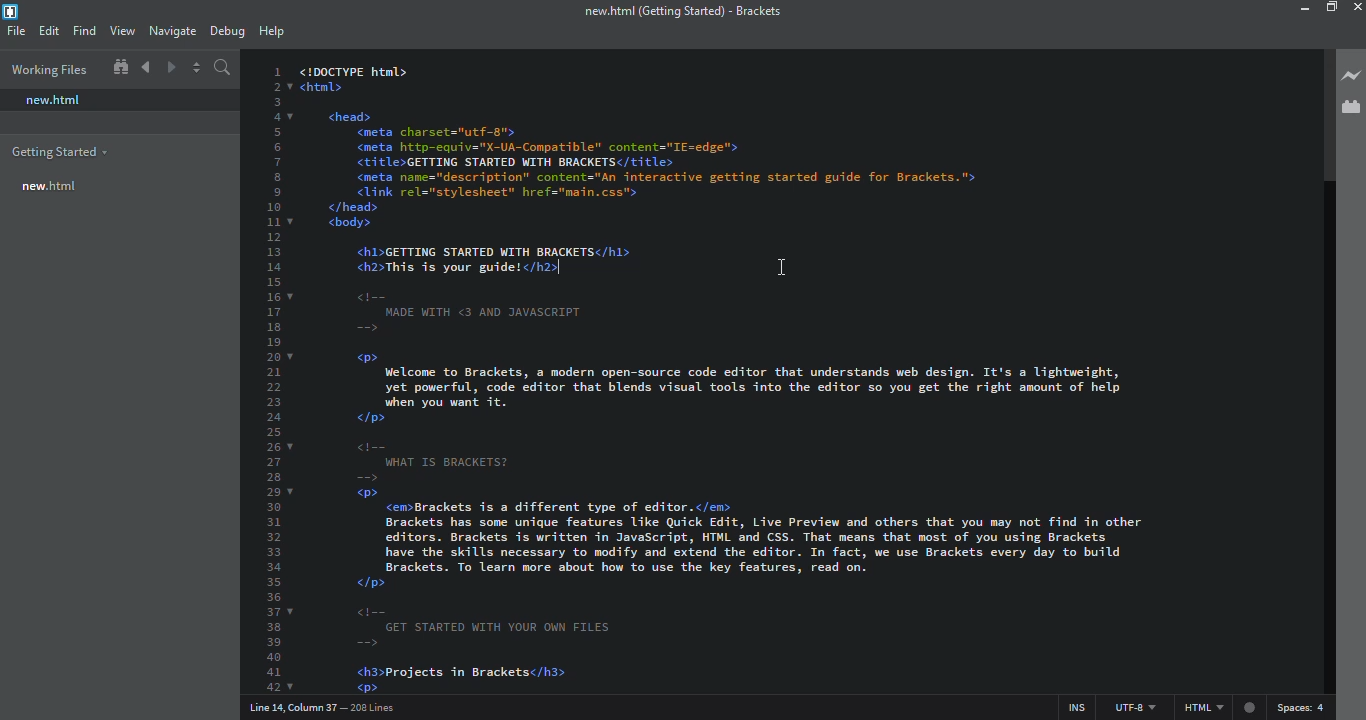 This screenshot has height=720, width=1366. What do you see at coordinates (1349, 76) in the screenshot?
I see `live preview` at bounding box center [1349, 76].